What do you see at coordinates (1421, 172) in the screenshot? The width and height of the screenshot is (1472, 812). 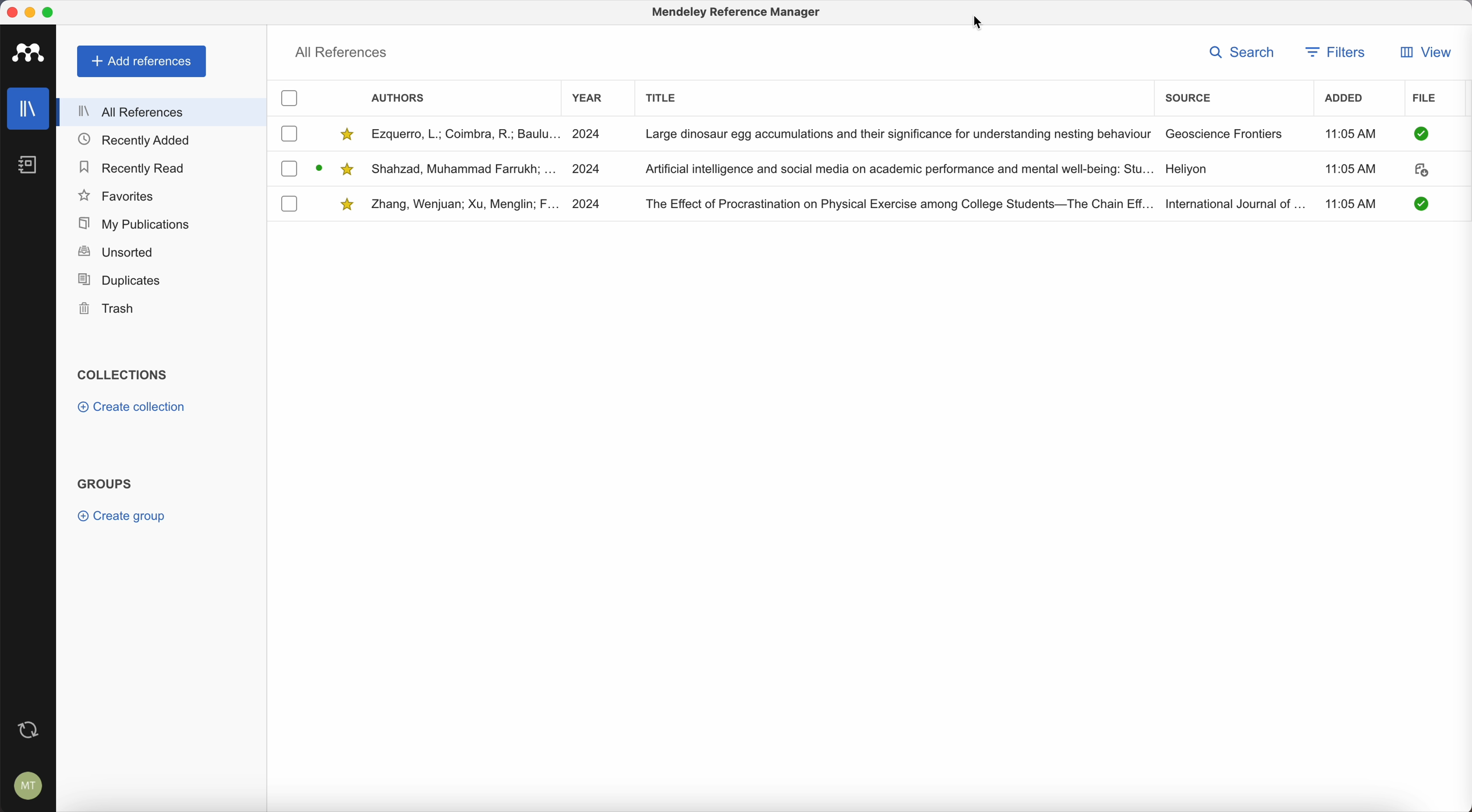 I see `download document` at bounding box center [1421, 172].